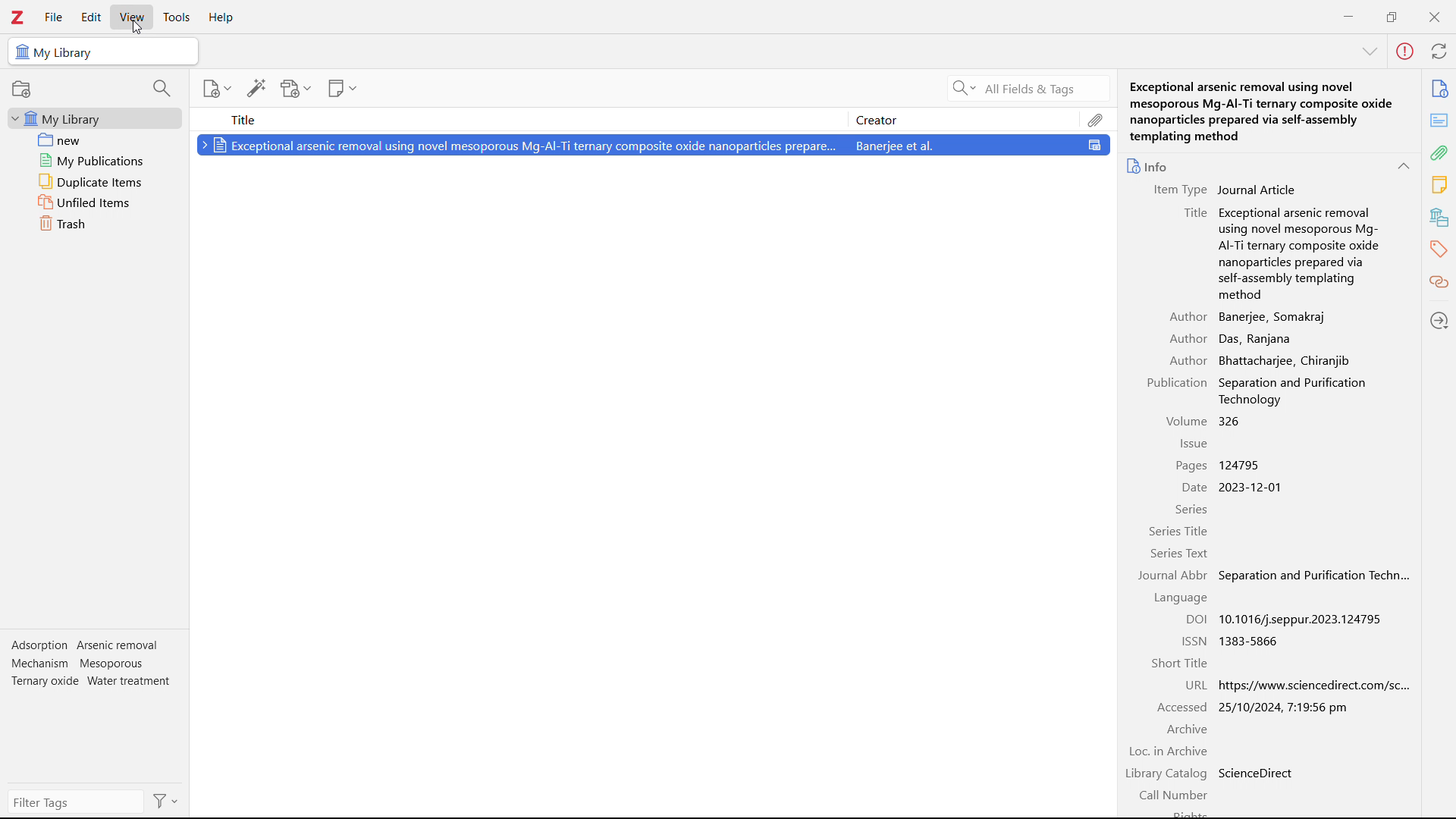  Describe the element at coordinates (343, 88) in the screenshot. I see `add notes` at that location.